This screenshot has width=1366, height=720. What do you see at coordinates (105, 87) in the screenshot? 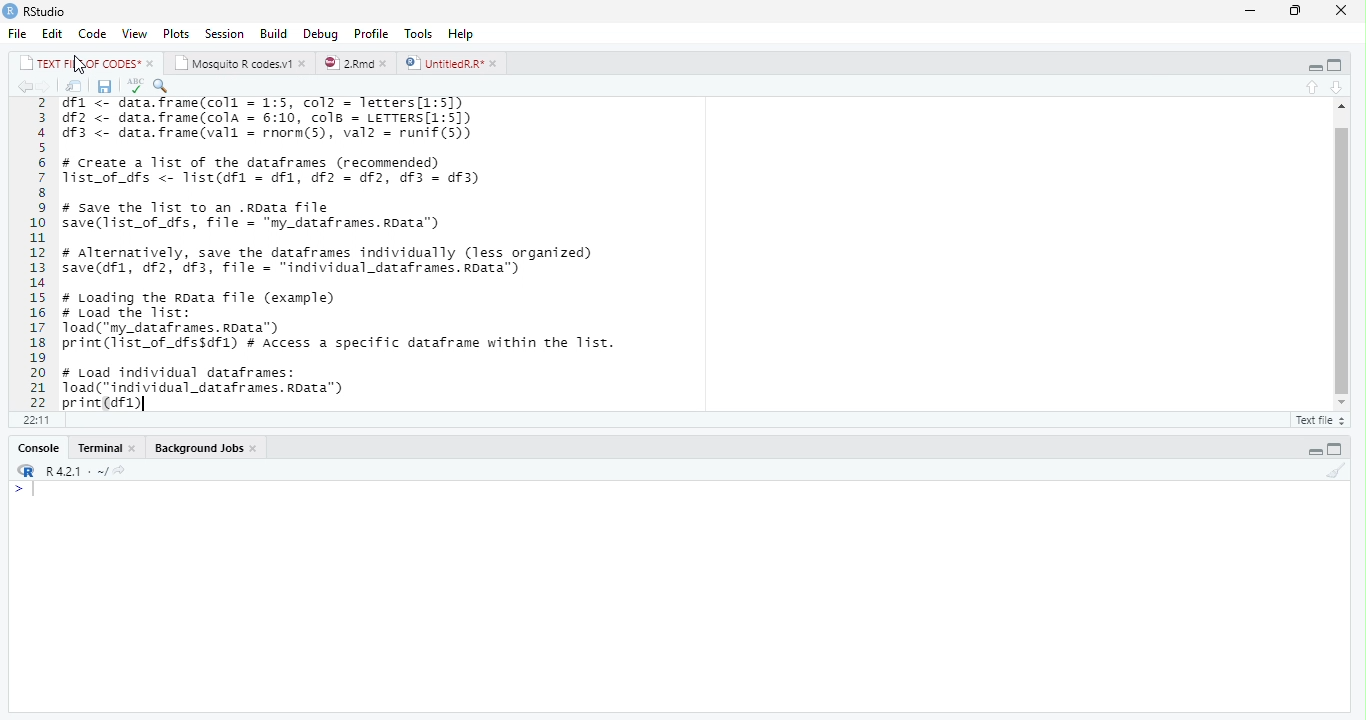
I see `Save` at bounding box center [105, 87].